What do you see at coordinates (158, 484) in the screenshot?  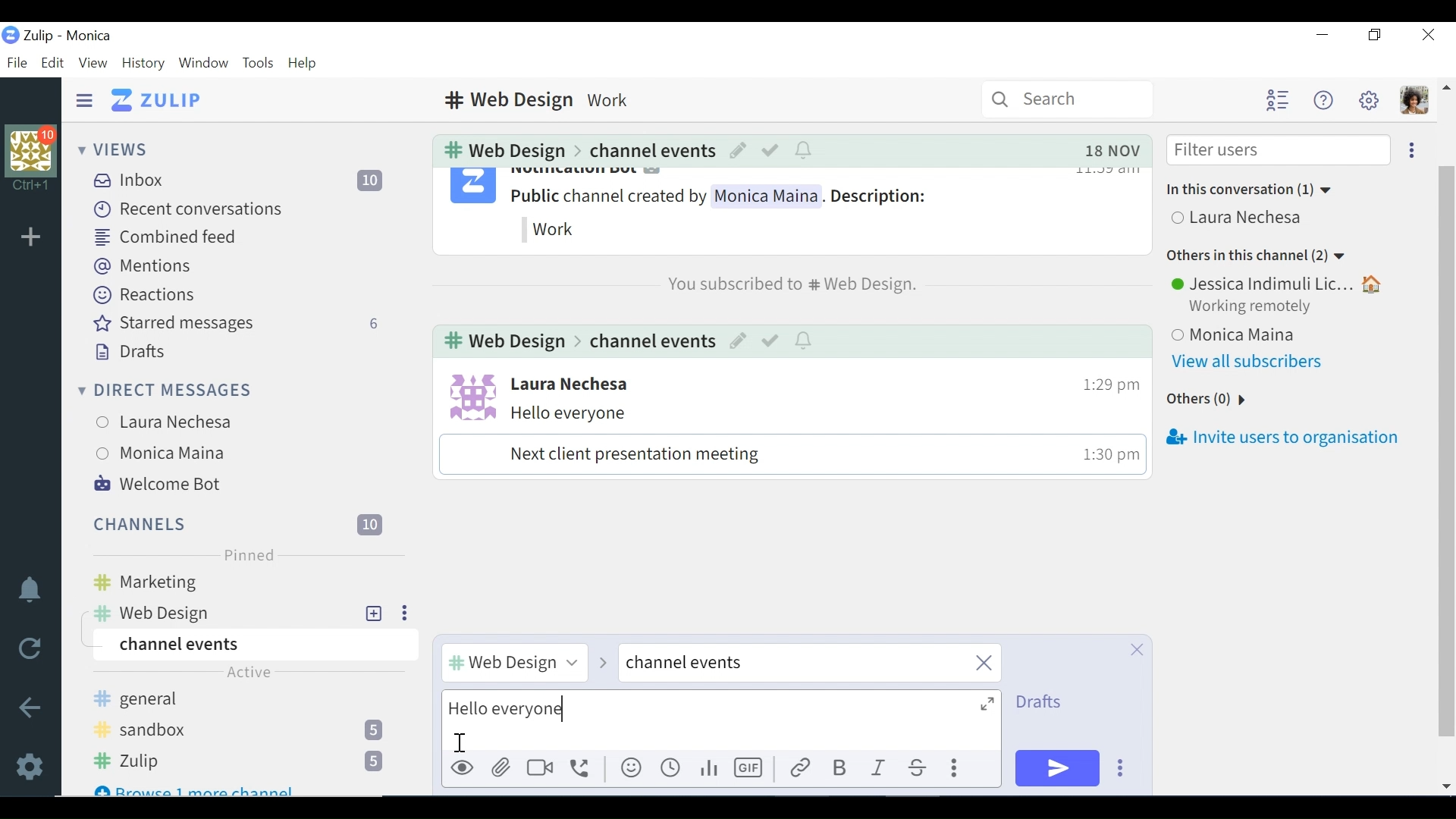 I see `Welcome Bot` at bounding box center [158, 484].